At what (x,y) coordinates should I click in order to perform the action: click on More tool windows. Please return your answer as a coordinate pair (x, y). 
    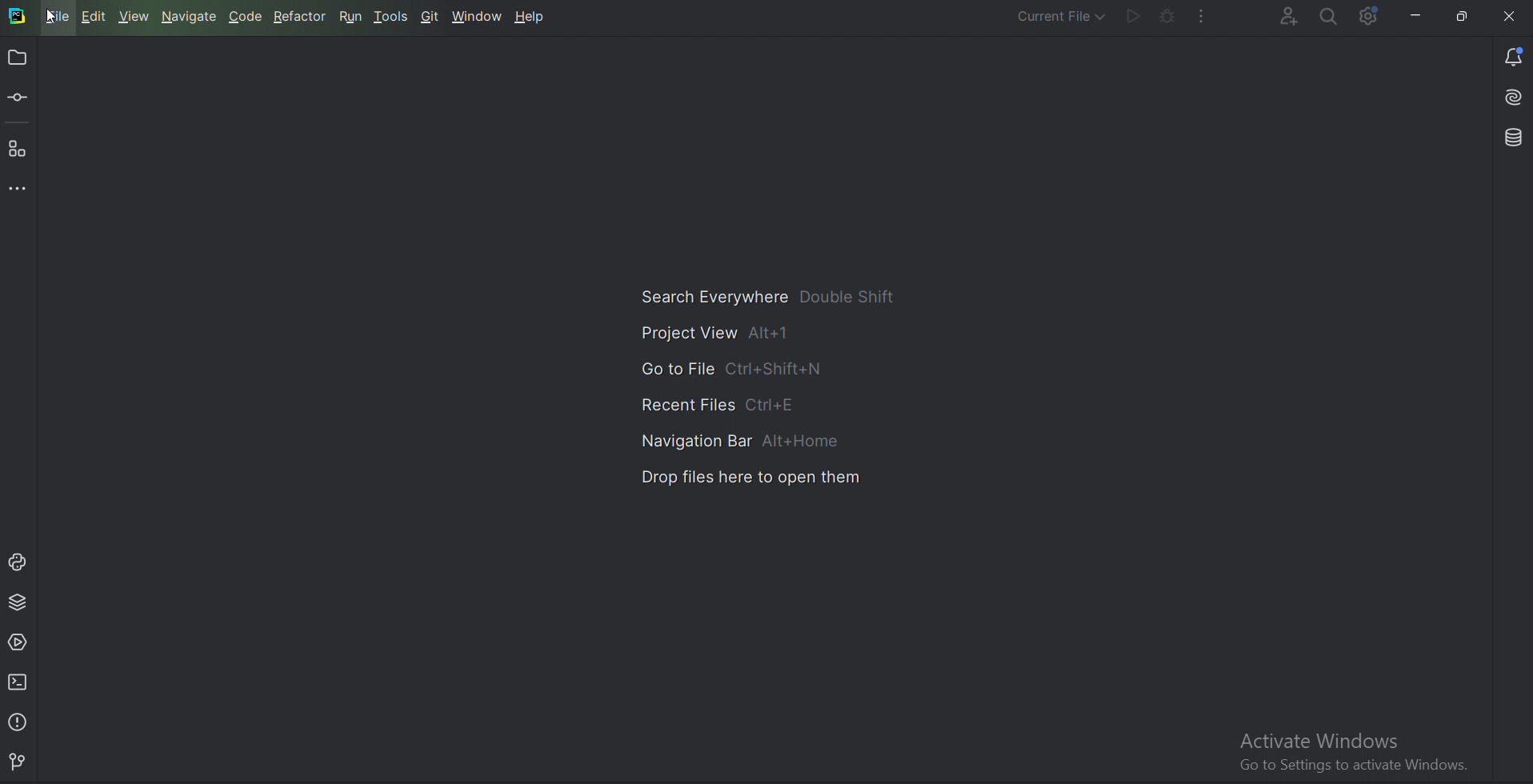
    Looking at the image, I should click on (22, 190).